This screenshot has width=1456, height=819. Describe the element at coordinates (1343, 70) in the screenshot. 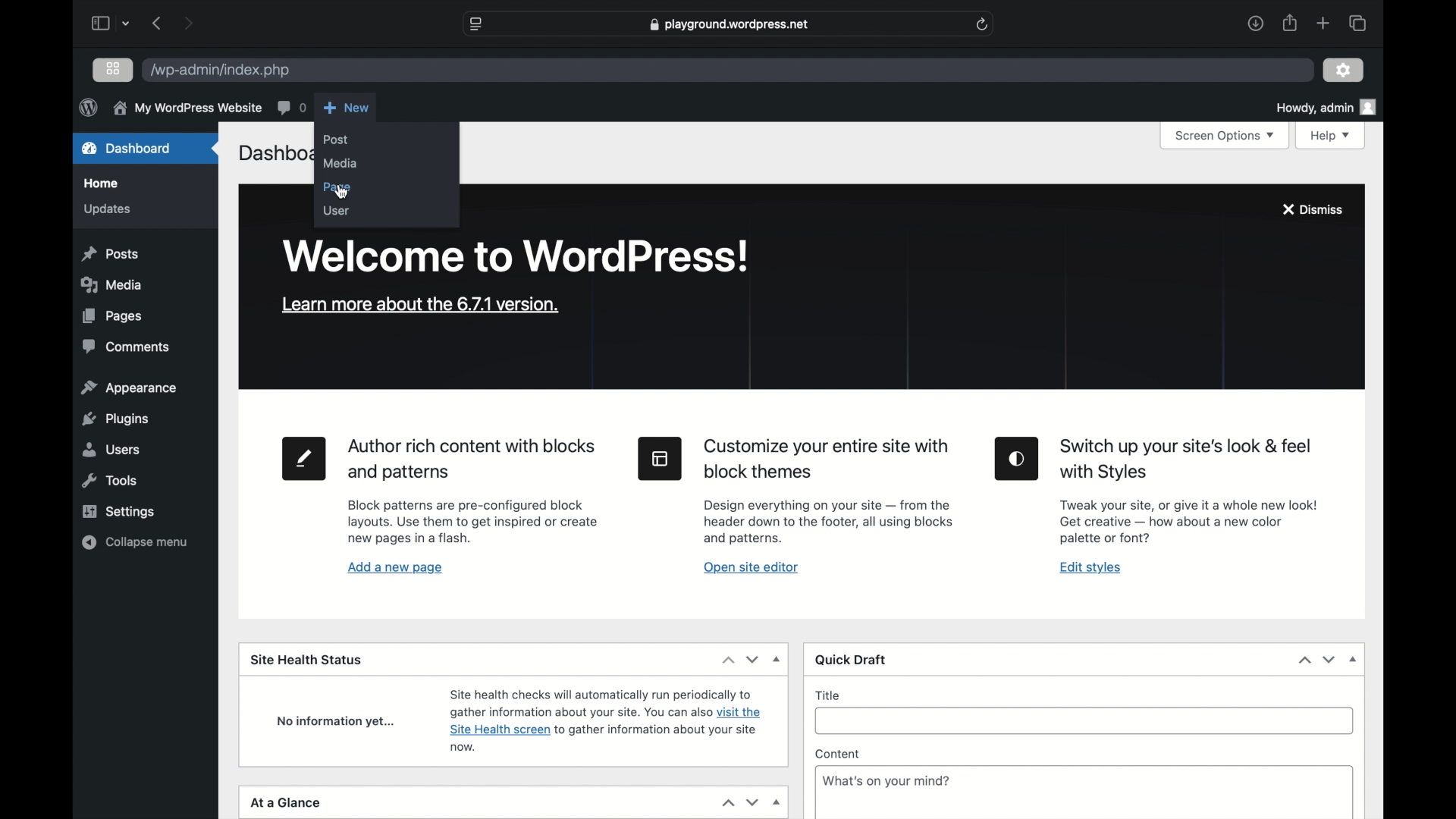

I see `settings` at that location.